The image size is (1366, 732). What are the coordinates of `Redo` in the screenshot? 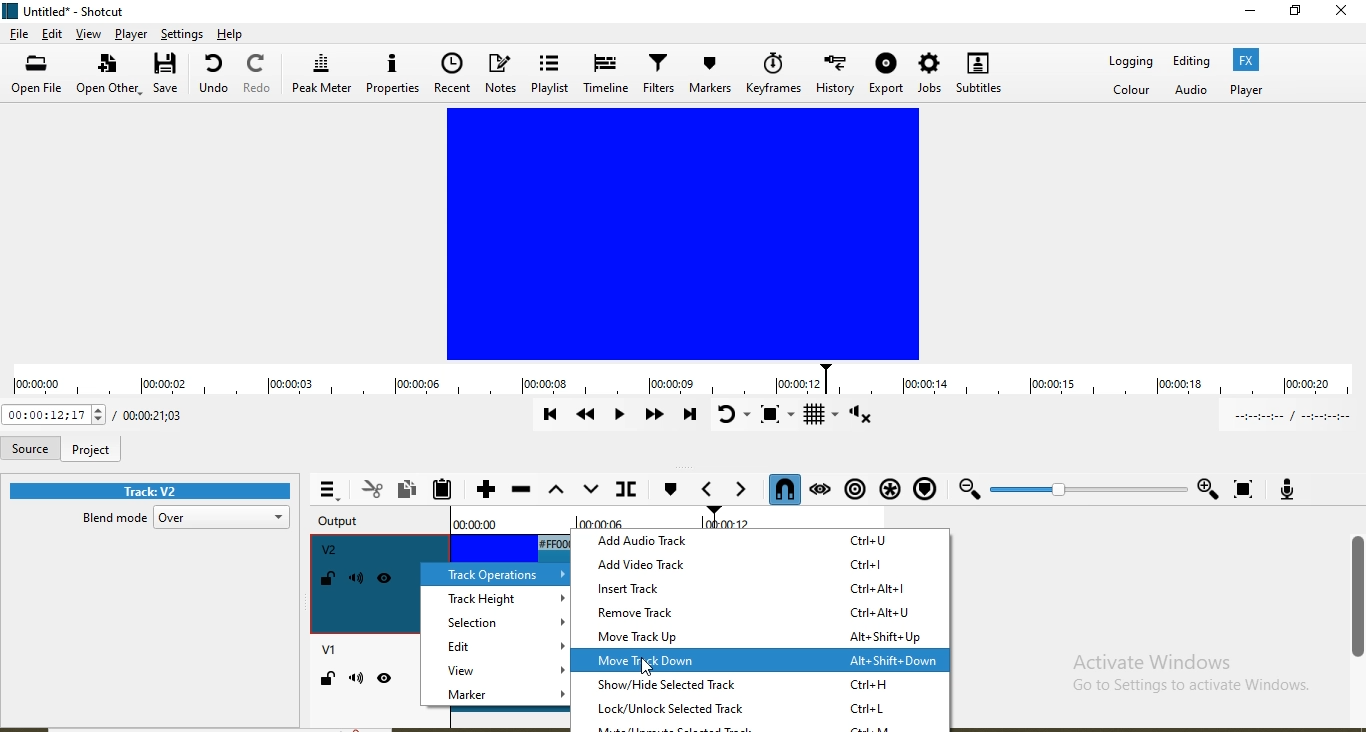 It's located at (258, 76).